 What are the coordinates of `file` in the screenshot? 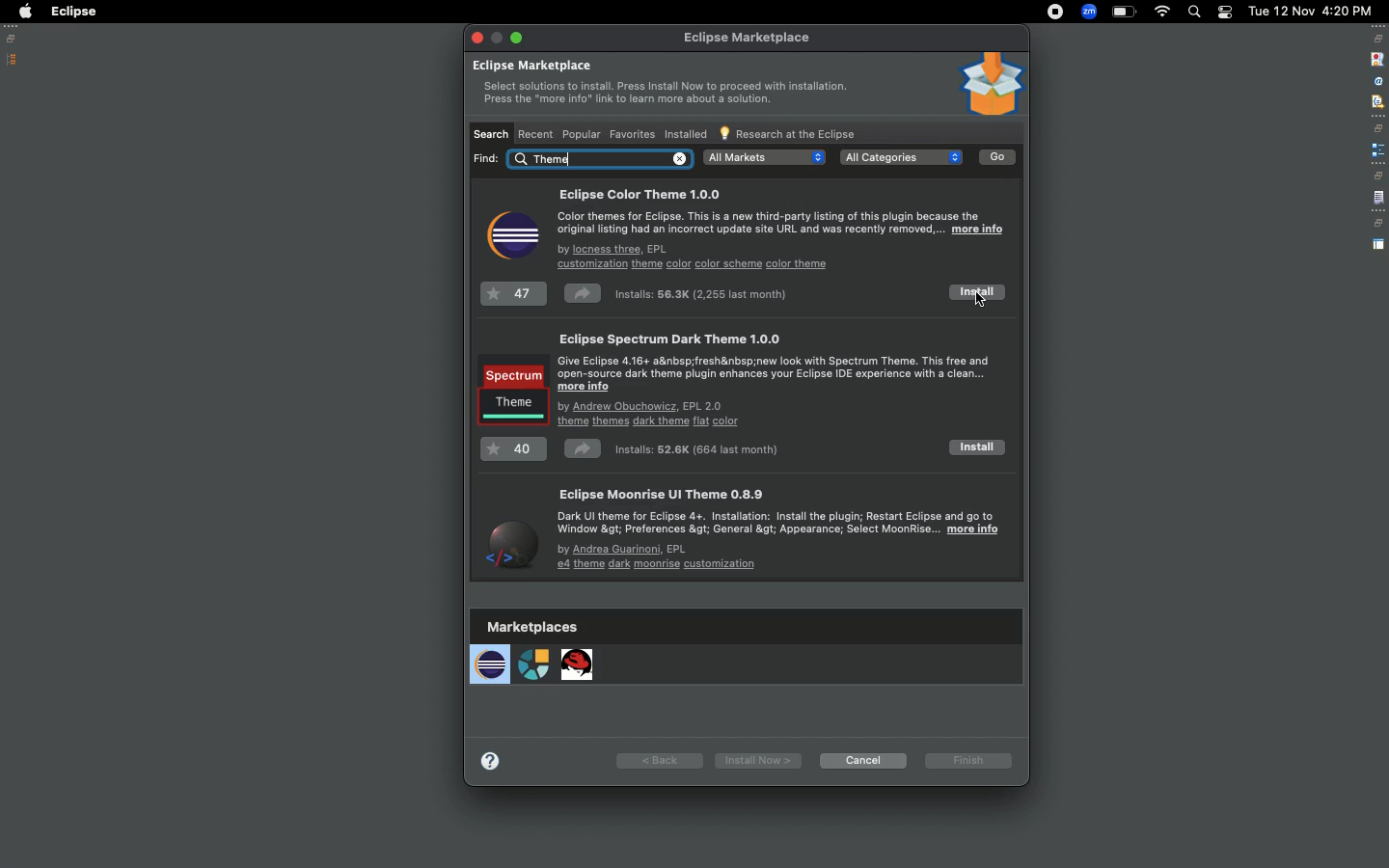 It's located at (1378, 199).